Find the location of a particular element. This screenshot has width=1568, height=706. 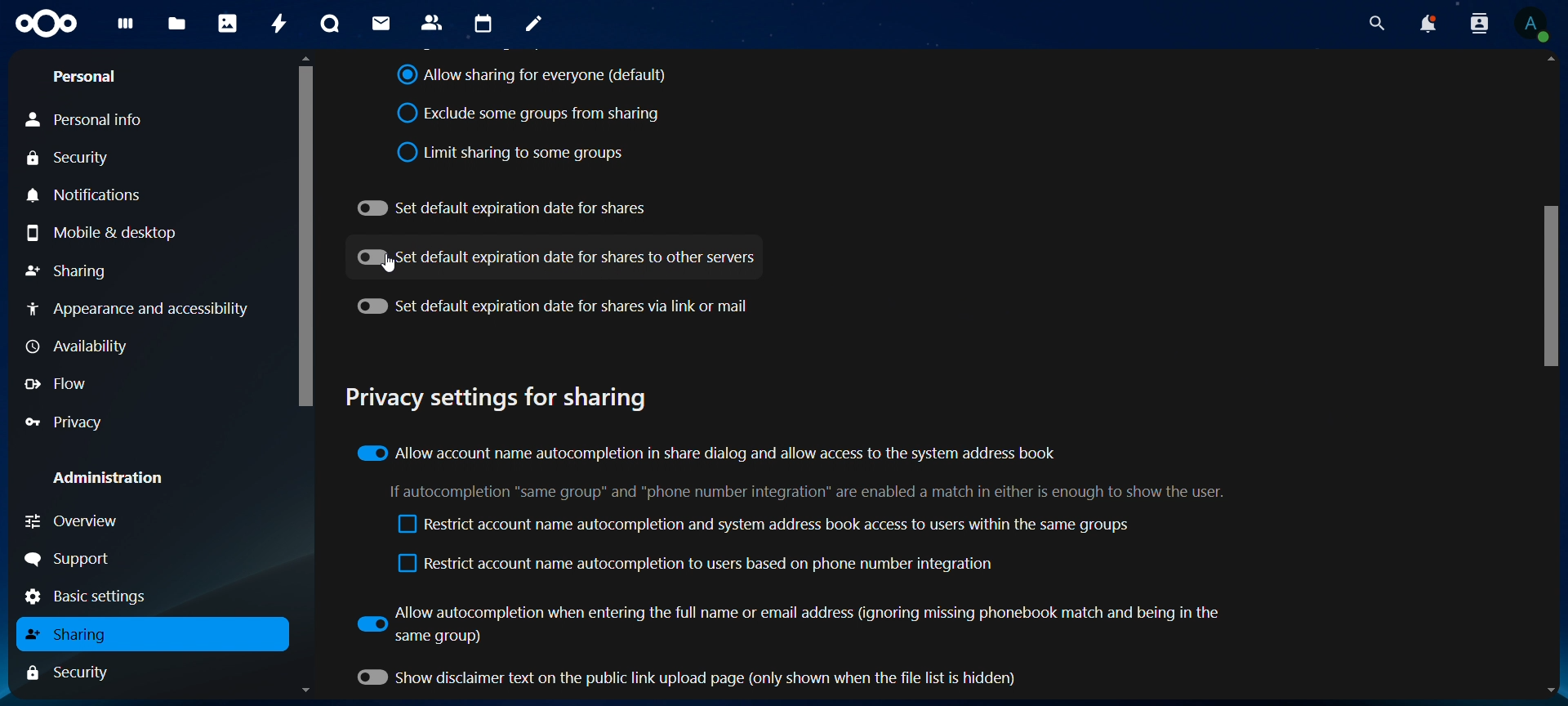

text is located at coordinates (820, 493).